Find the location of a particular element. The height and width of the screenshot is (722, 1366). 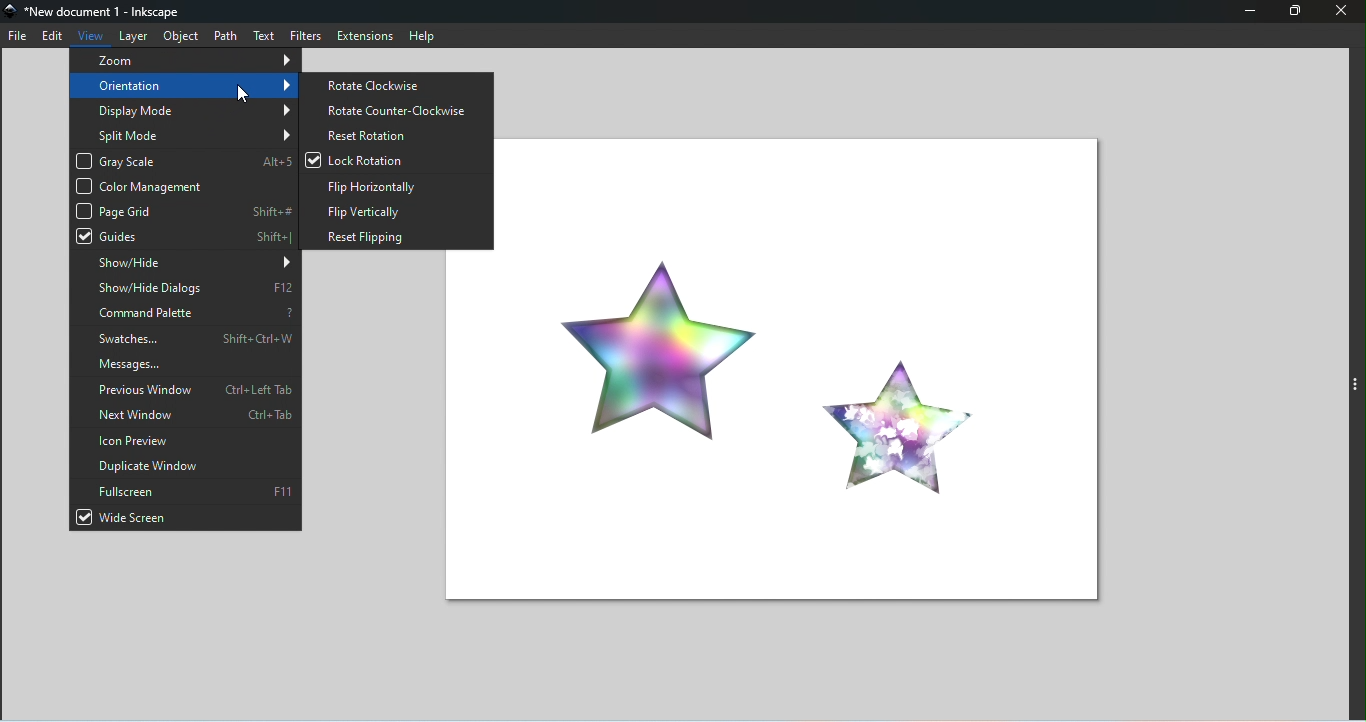

Split mode is located at coordinates (184, 133).